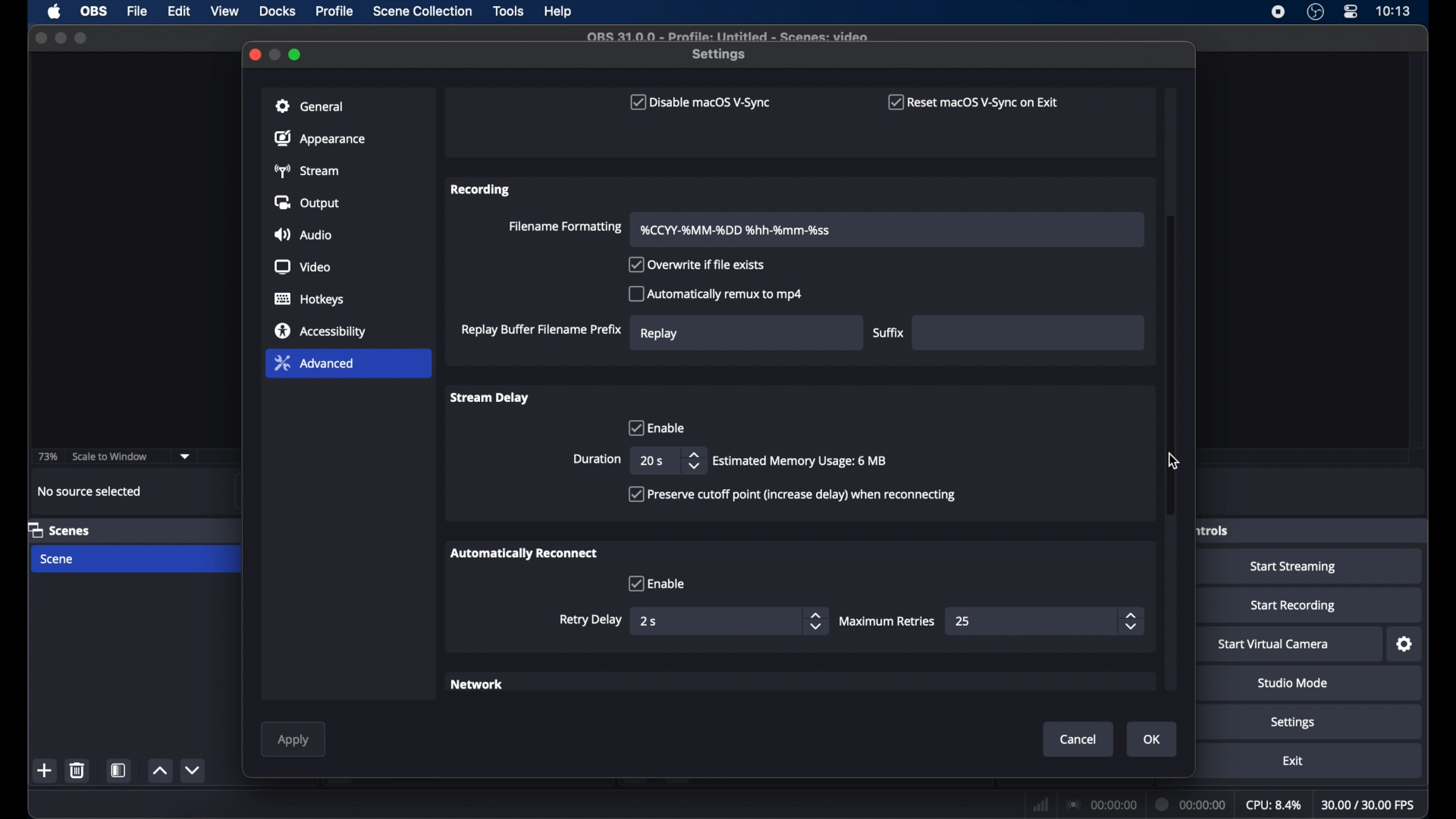 The height and width of the screenshot is (819, 1456). What do you see at coordinates (55, 12) in the screenshot?
I see `apple icon` at bounding box center [55, 12].